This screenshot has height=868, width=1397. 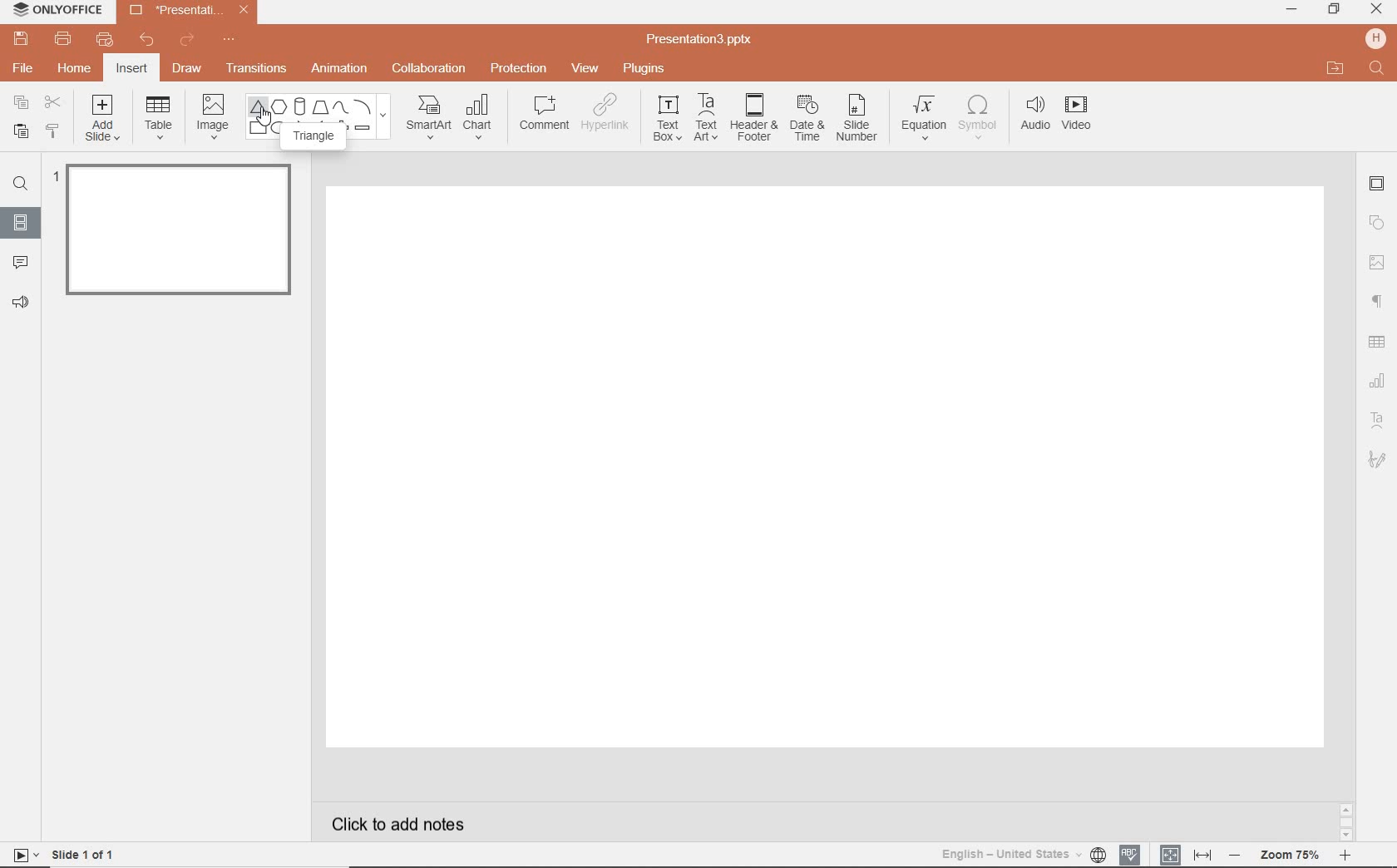 I want to click on DRAW, so click(x=188, y=70).